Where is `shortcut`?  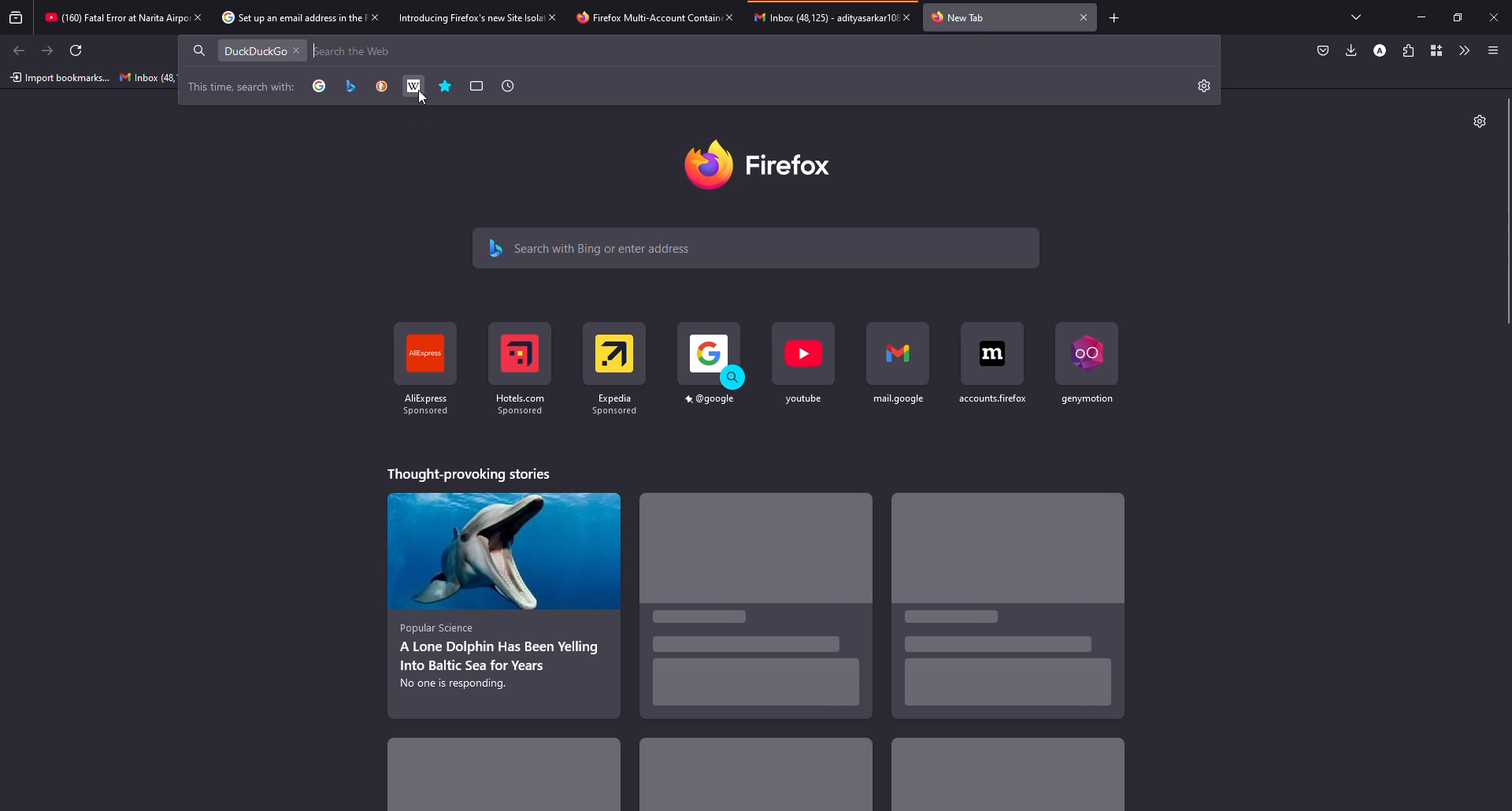 shortcut is located at coordinates (617, 374).